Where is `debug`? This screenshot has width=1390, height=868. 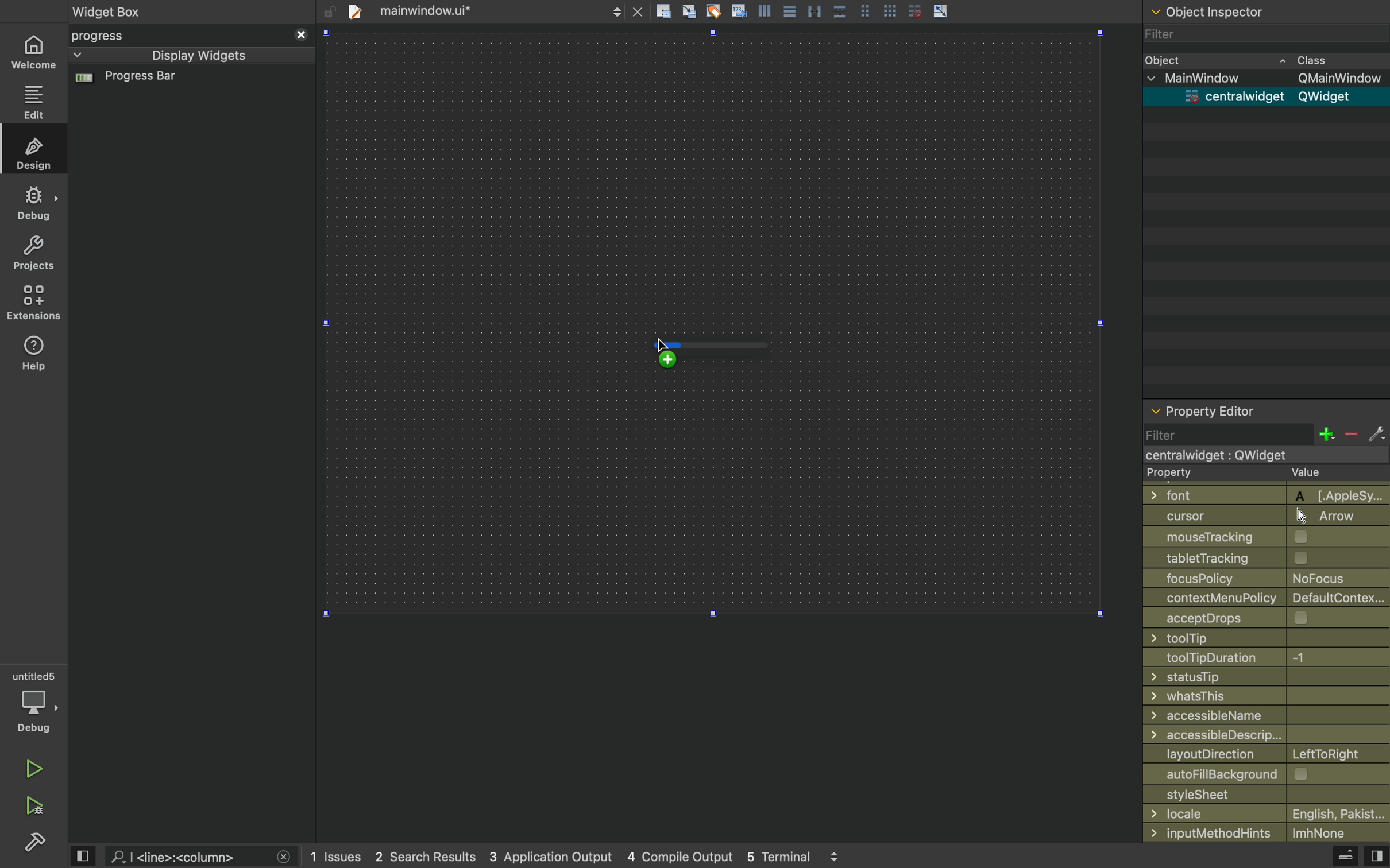
debug is located at coordinates (35, 202).